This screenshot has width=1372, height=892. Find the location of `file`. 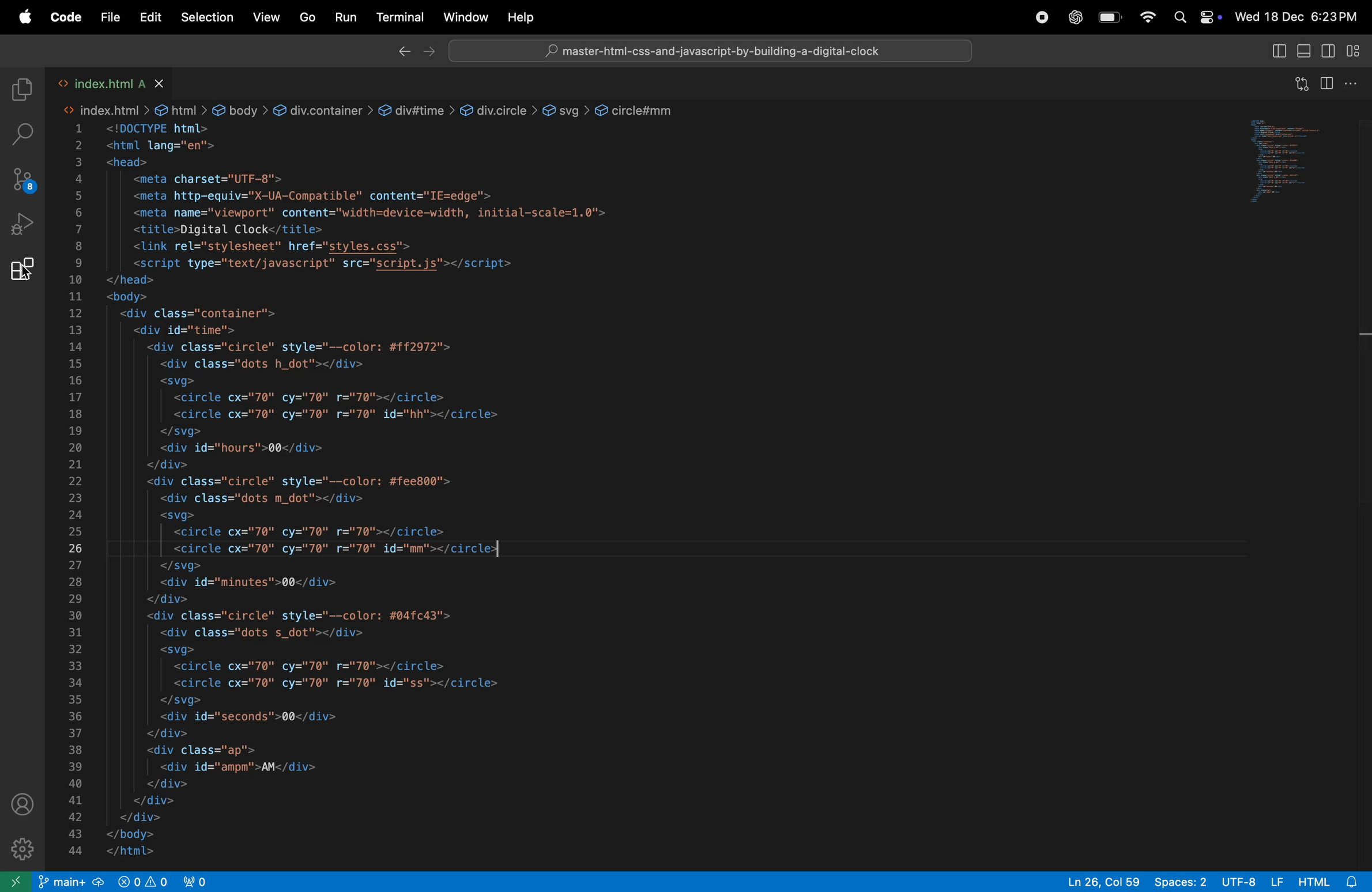

file is located at coordinates (111, 17).